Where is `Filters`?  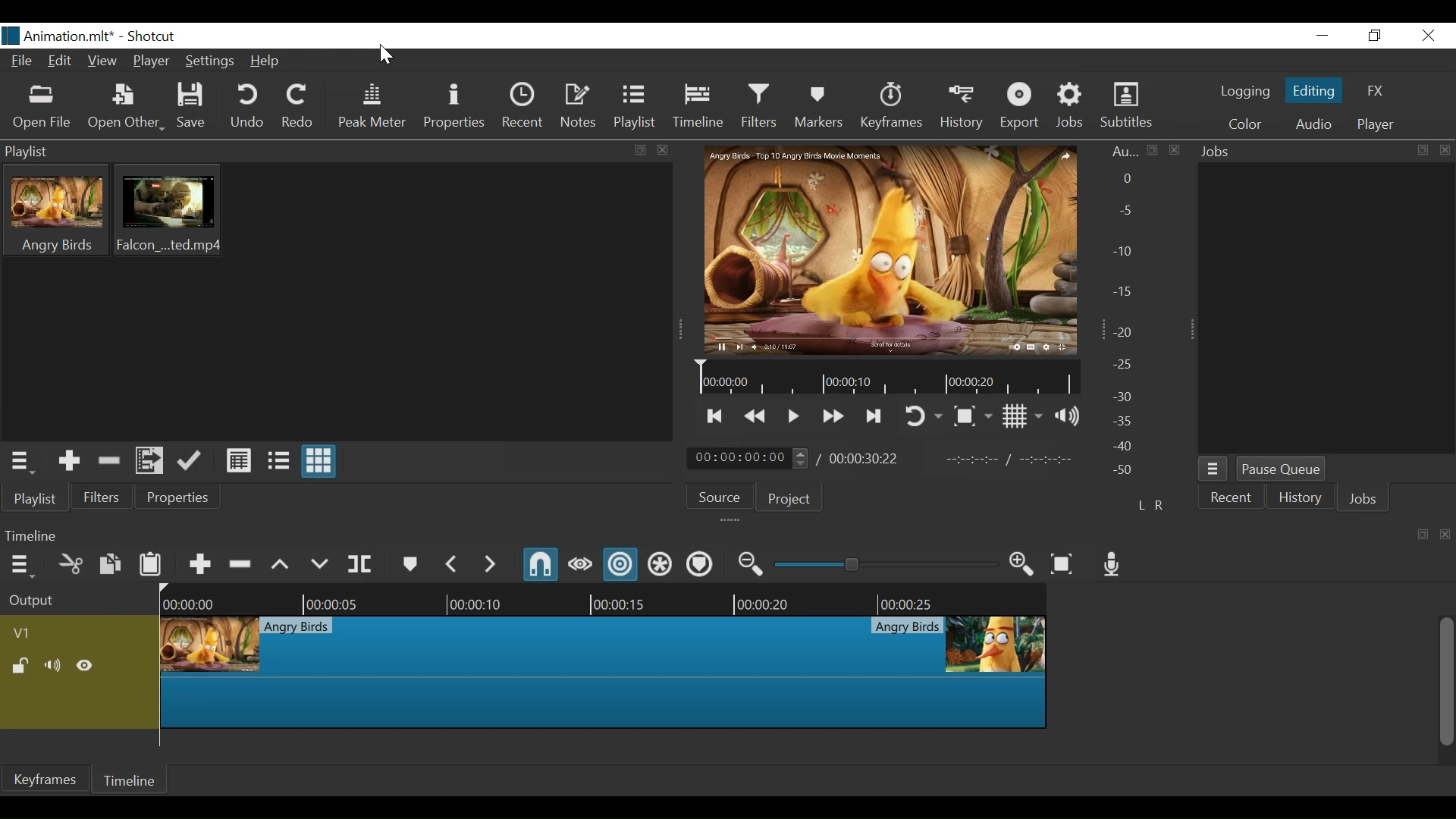 Filters is located at coordinates (104, 496).